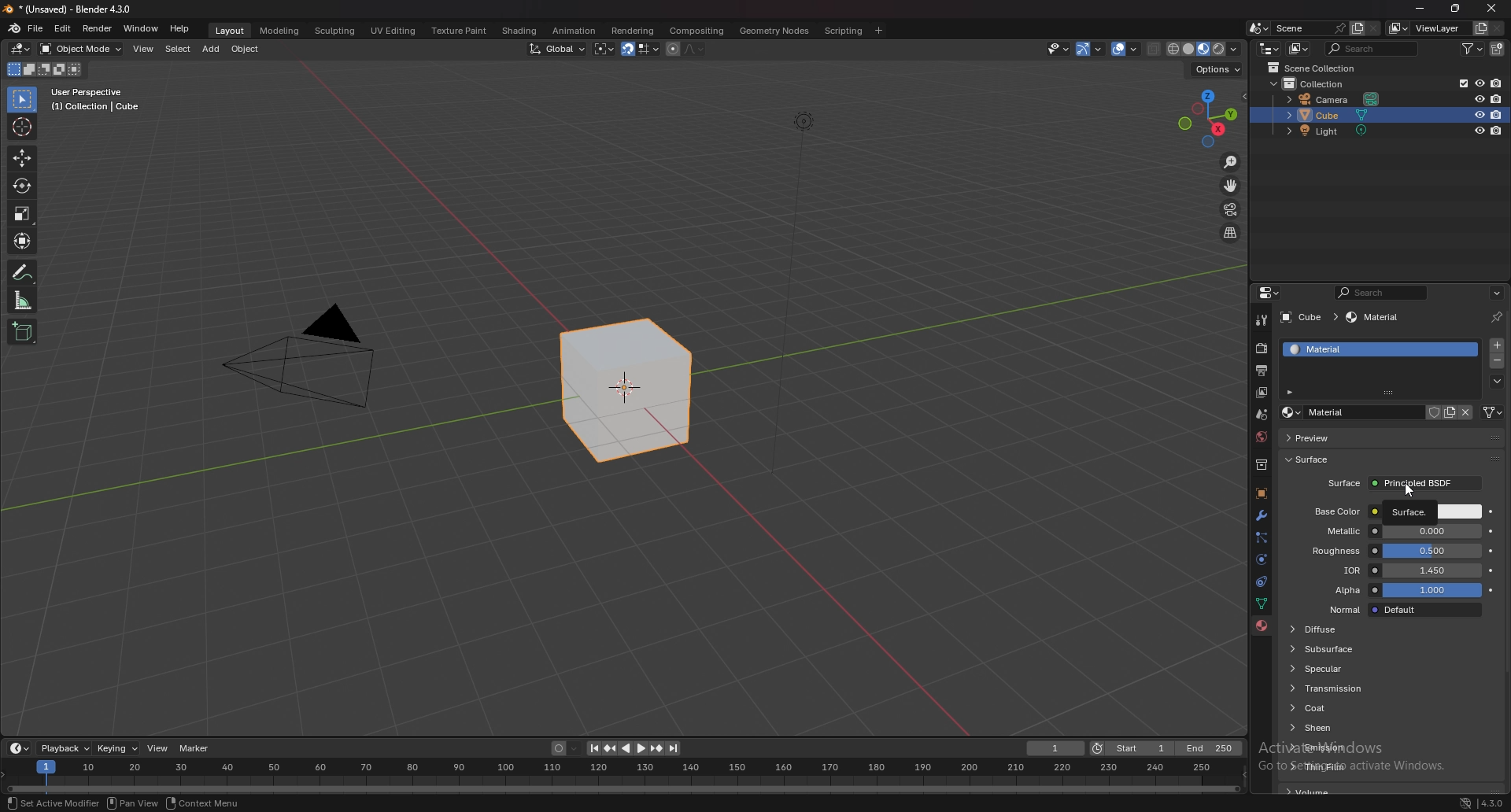 The height and width of the screenshot is (812, 1511). Describe the element at coordinates (1496, 293) in the screenshot. I see `options` at that location.